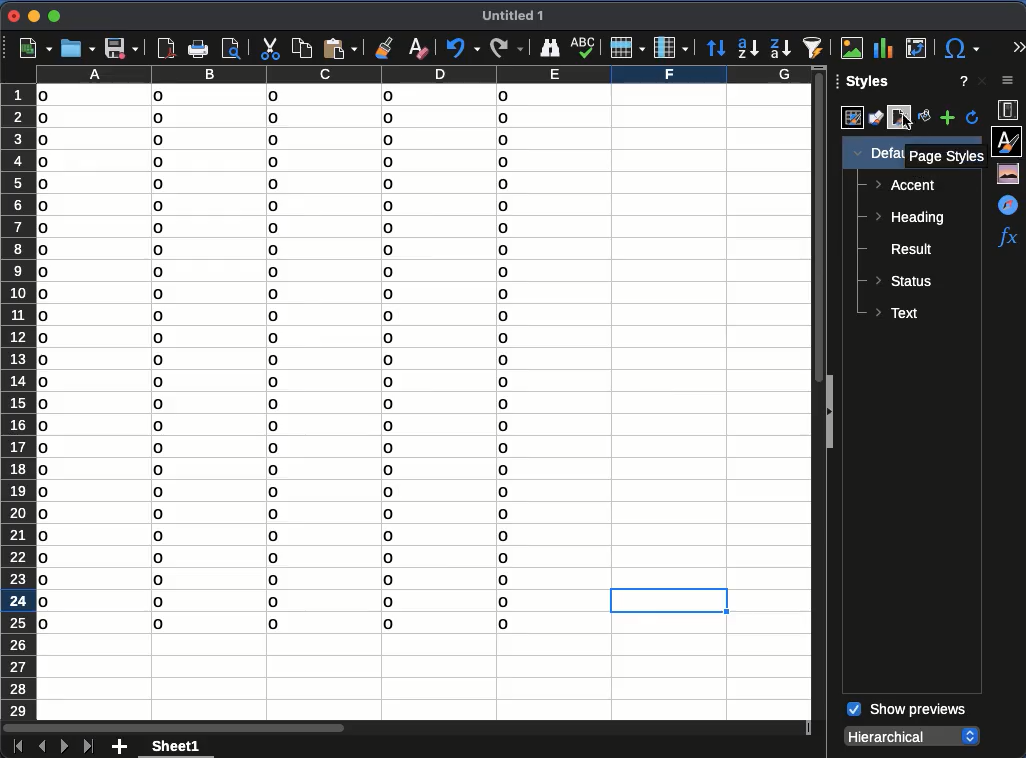 The height and width of the screenshot is (758, 1026). What do you see at coordinates (973, 118) in the screenshot?
I see `refresh` at bounding box center [973, 118].